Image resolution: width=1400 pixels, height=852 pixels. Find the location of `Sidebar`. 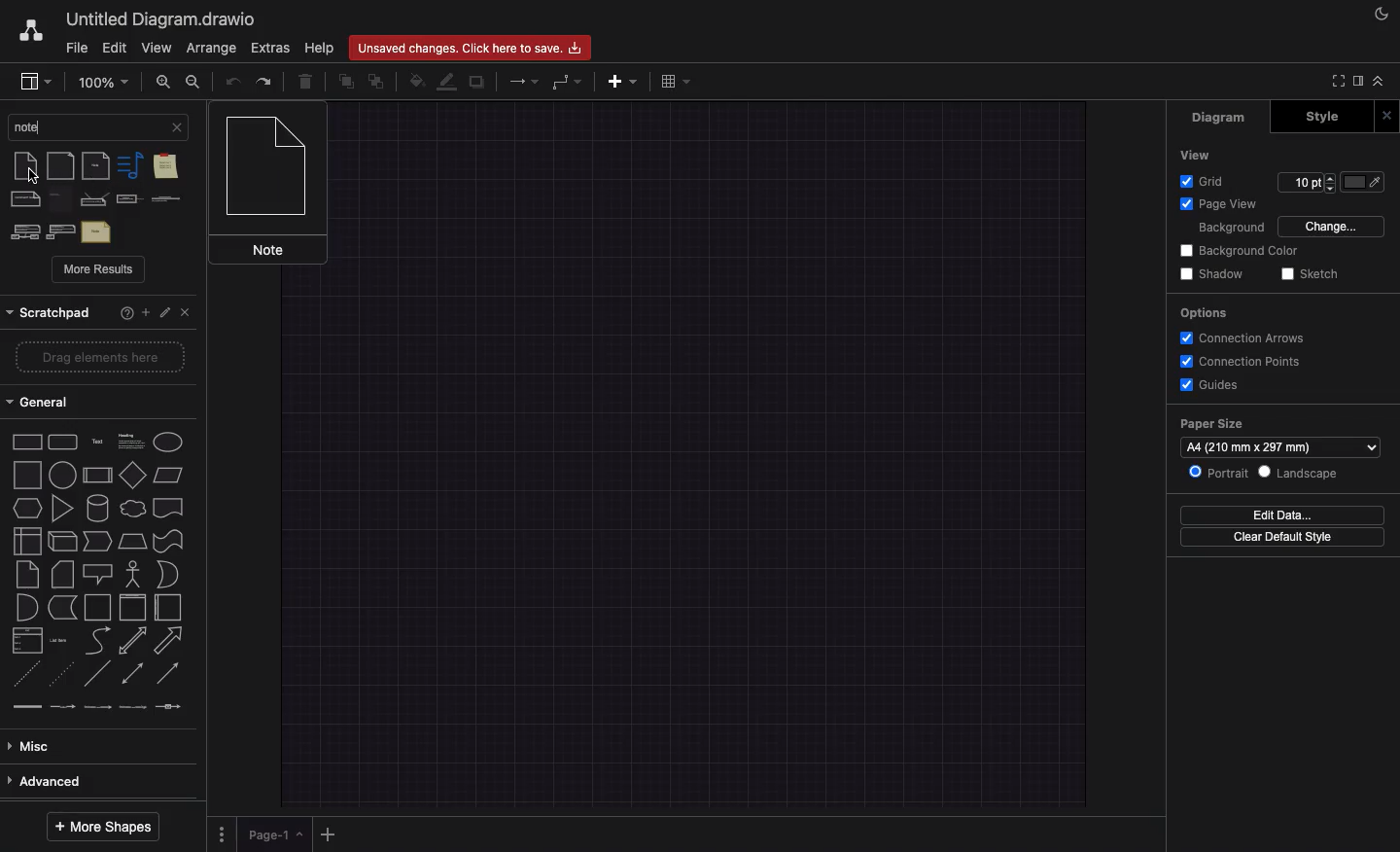

Sidebar is located at coordinates (1361, 83).